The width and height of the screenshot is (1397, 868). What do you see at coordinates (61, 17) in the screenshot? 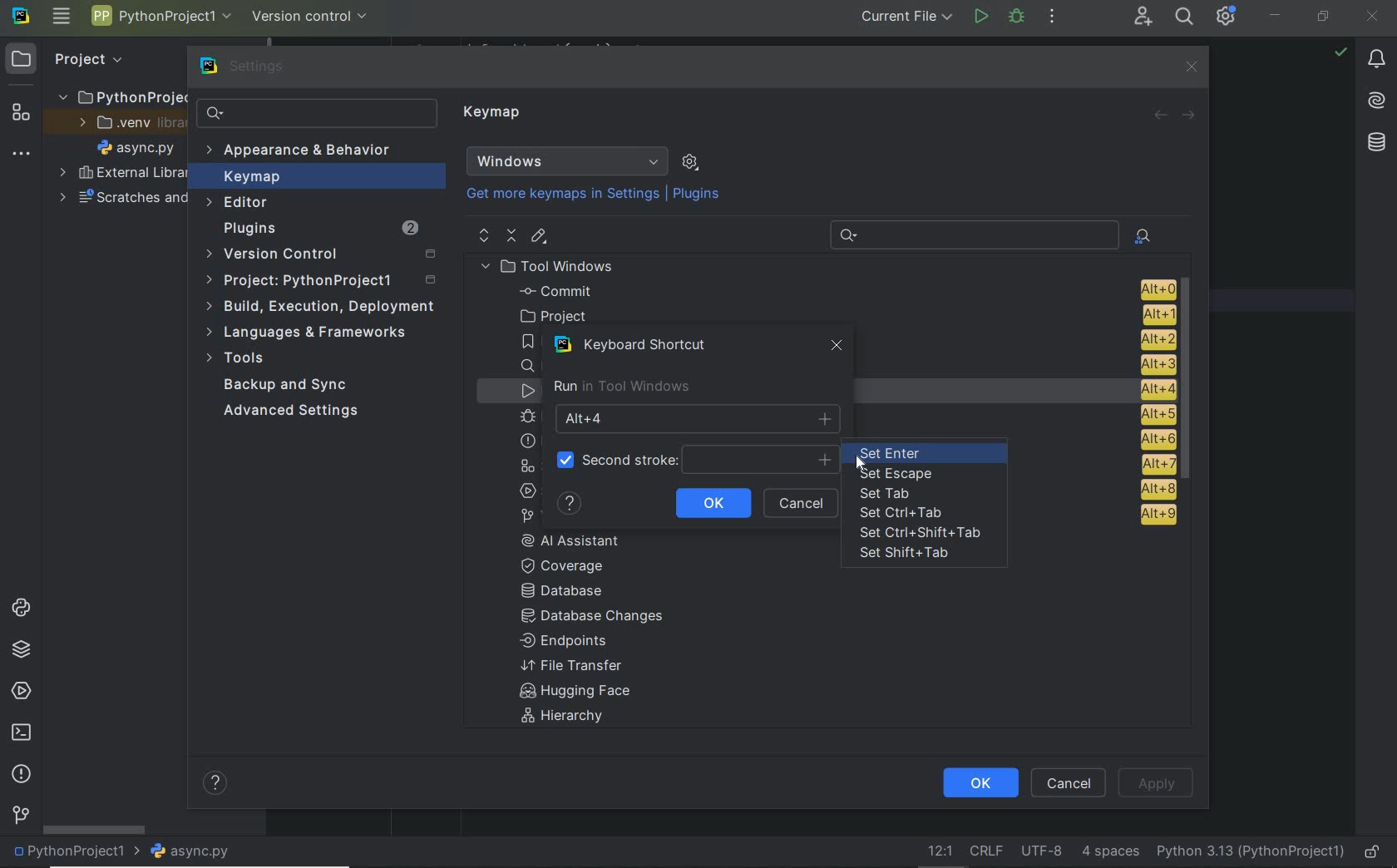
I see `main menu` at bounding box center [61, 17].